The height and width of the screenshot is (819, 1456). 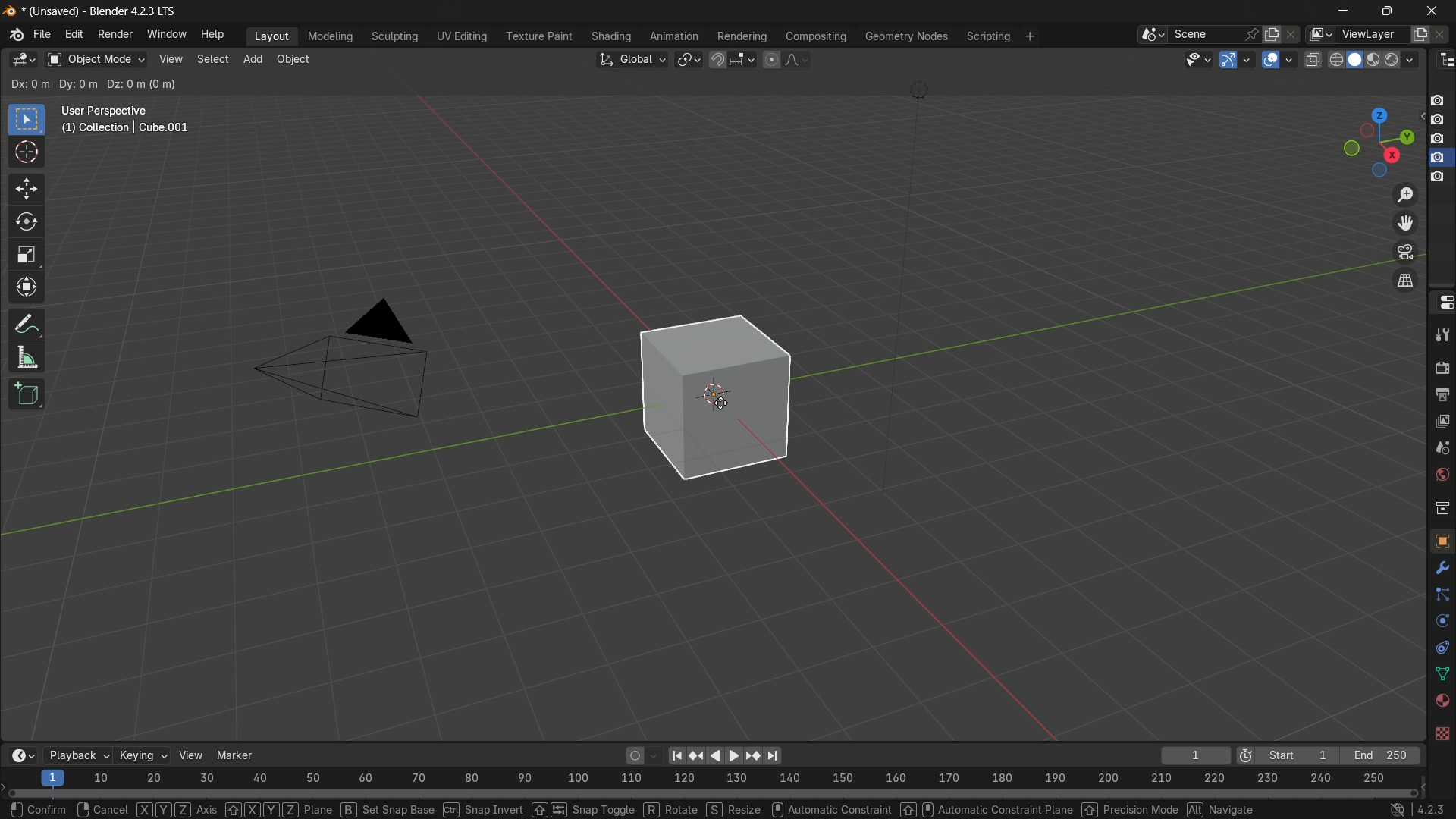 I want to click on texture paint menu, so click(x=535, y=38).